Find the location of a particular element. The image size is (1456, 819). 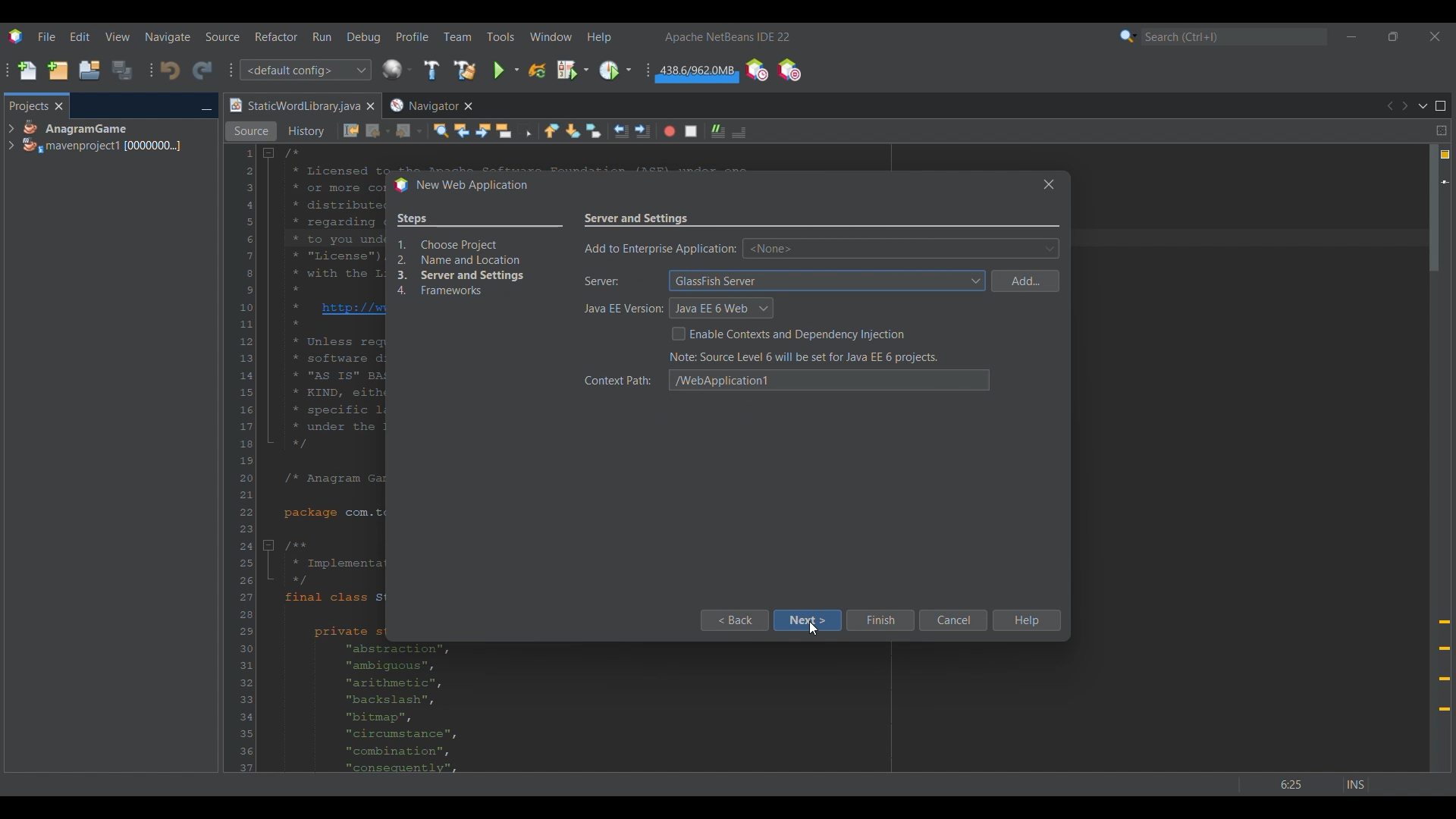

Help is located at coordinates (1025, 620).